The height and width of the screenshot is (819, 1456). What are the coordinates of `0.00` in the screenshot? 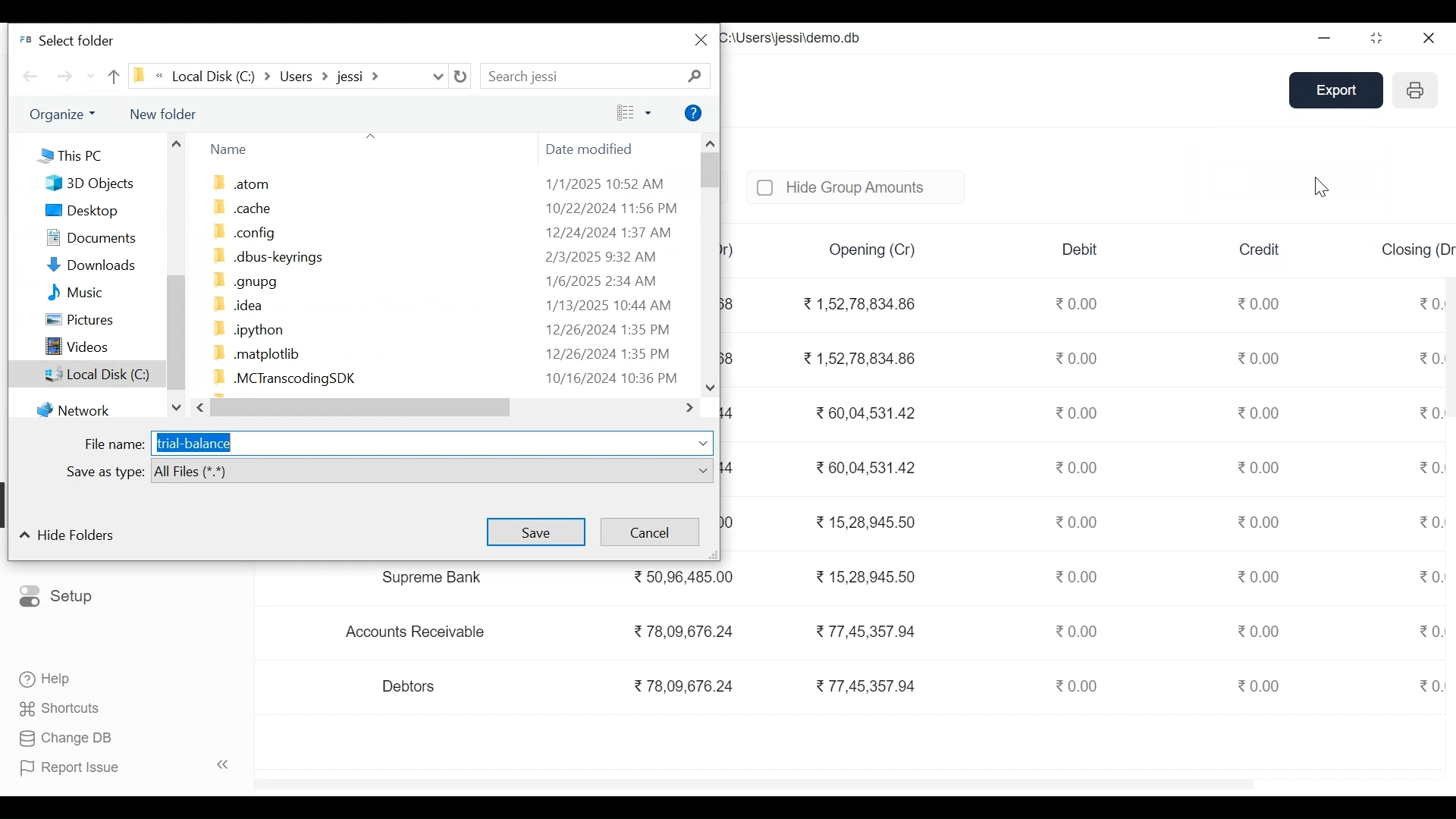 It's located at (1430, 415).